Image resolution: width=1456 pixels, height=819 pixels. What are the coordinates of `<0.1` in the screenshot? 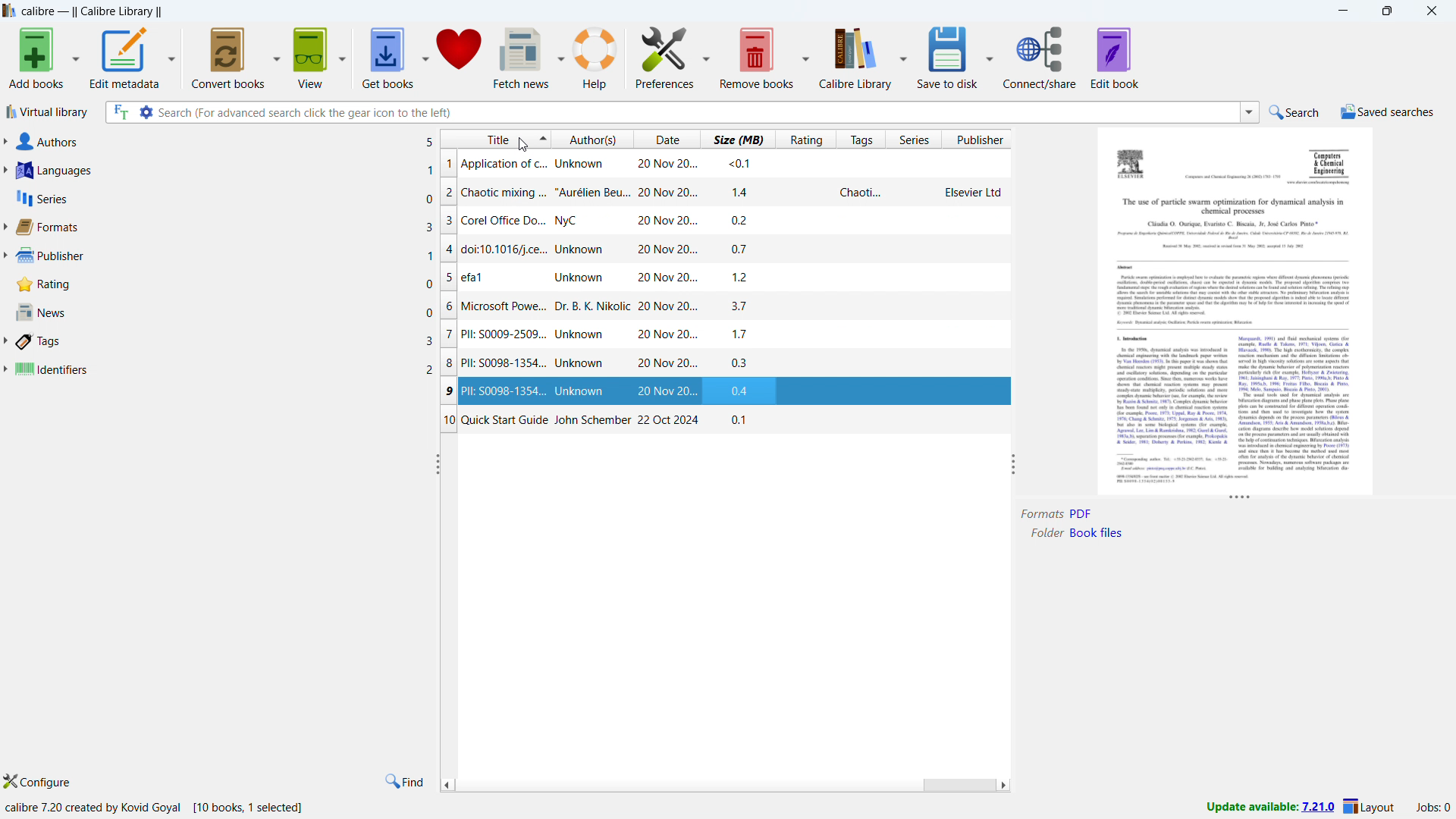 It's located at (744, 165).